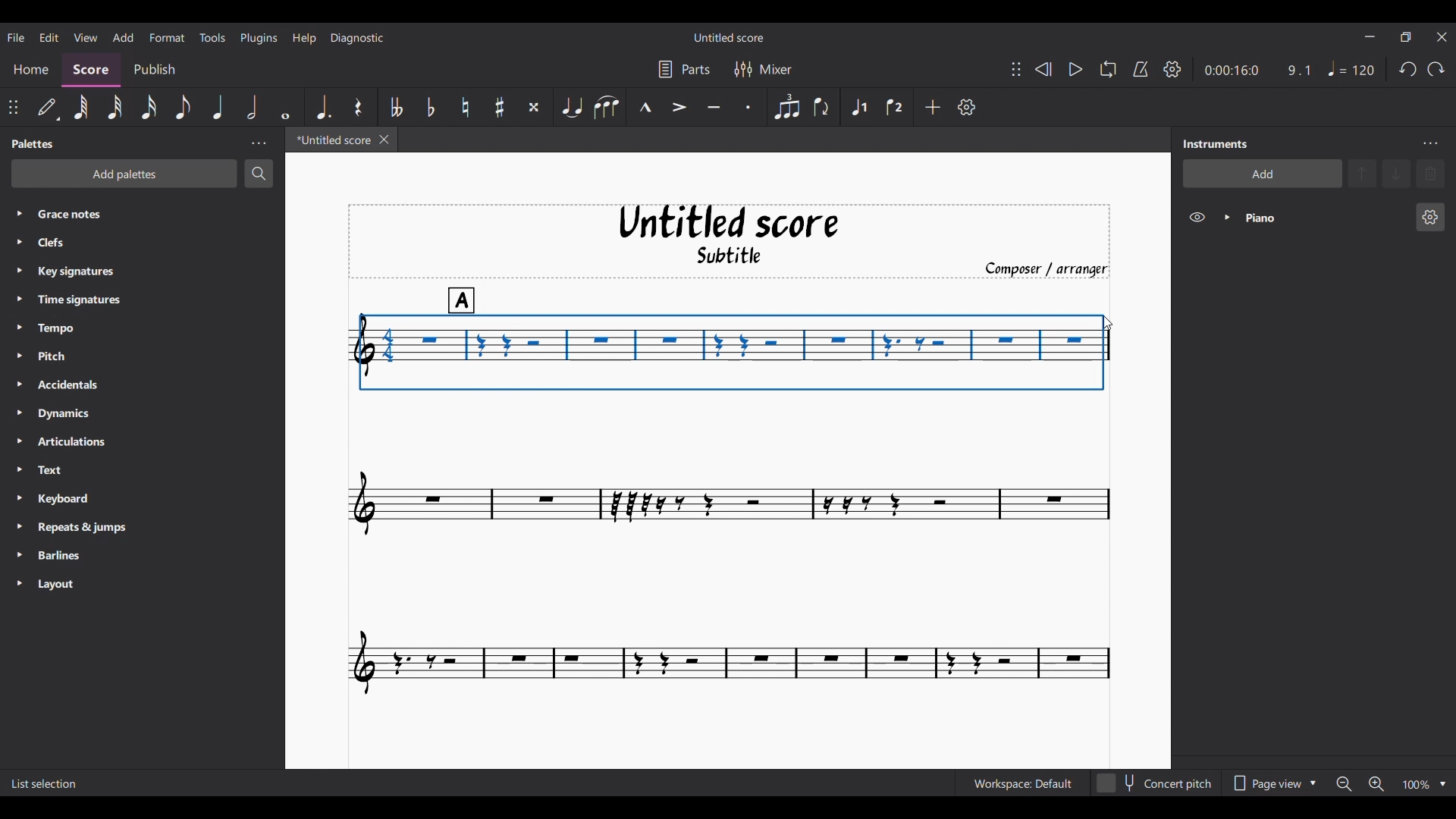  What do you see at coordinates (678, 107) in the screenshot?
I see `Accent` at bounding box center [678, 107].